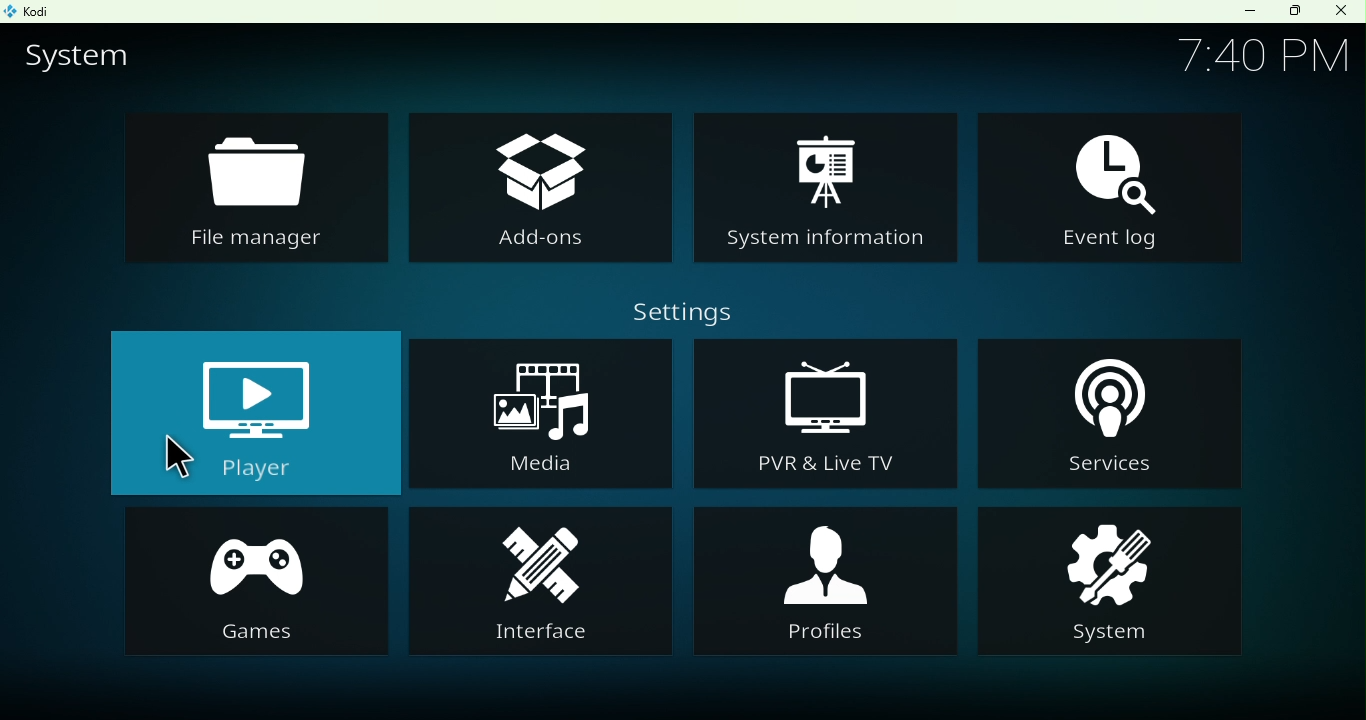  Describe the element at coordinates (1294, 12) in the screenshot. I see `Maximize` at that location.